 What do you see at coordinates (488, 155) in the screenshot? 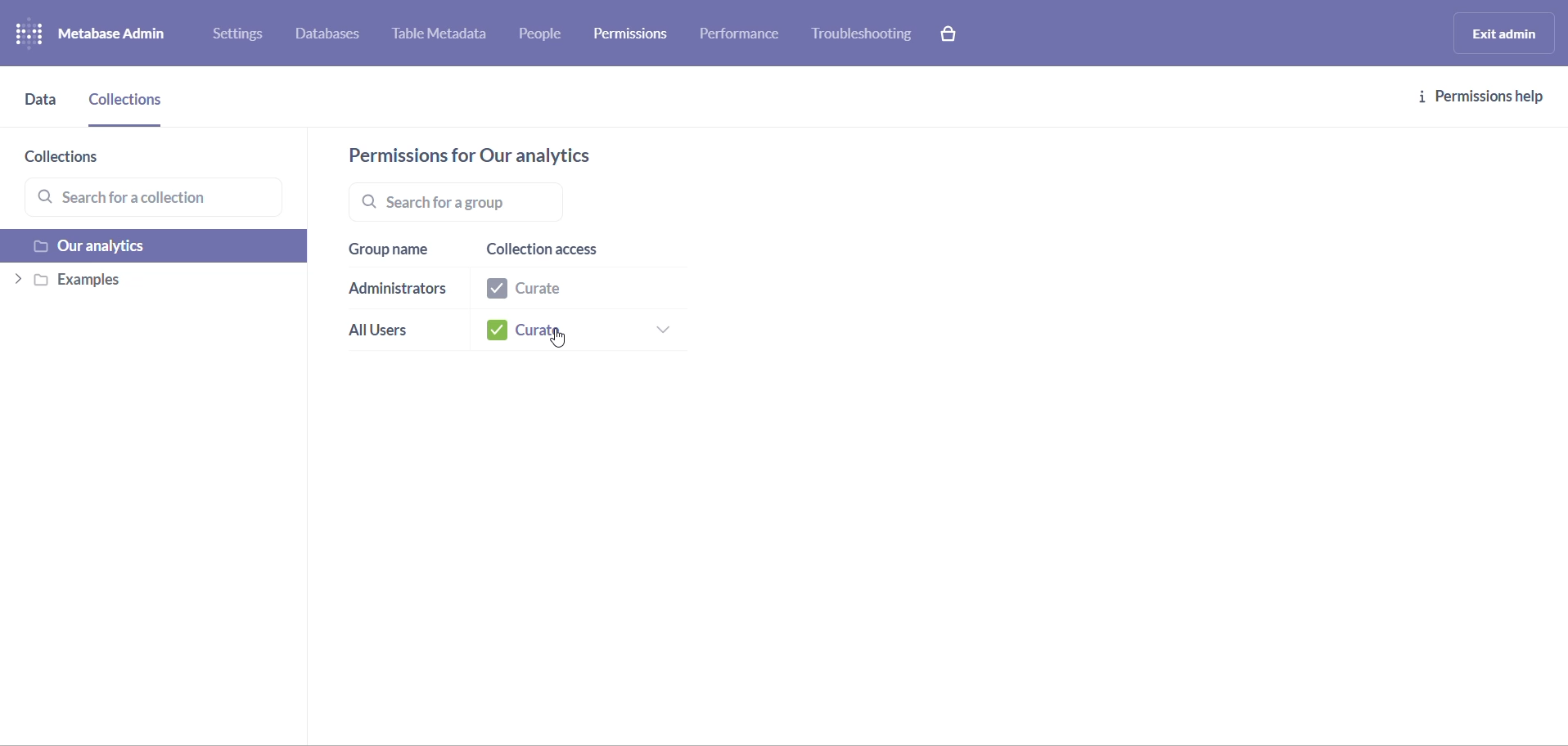
I see `permission heading` at bounding box center [488, 155].